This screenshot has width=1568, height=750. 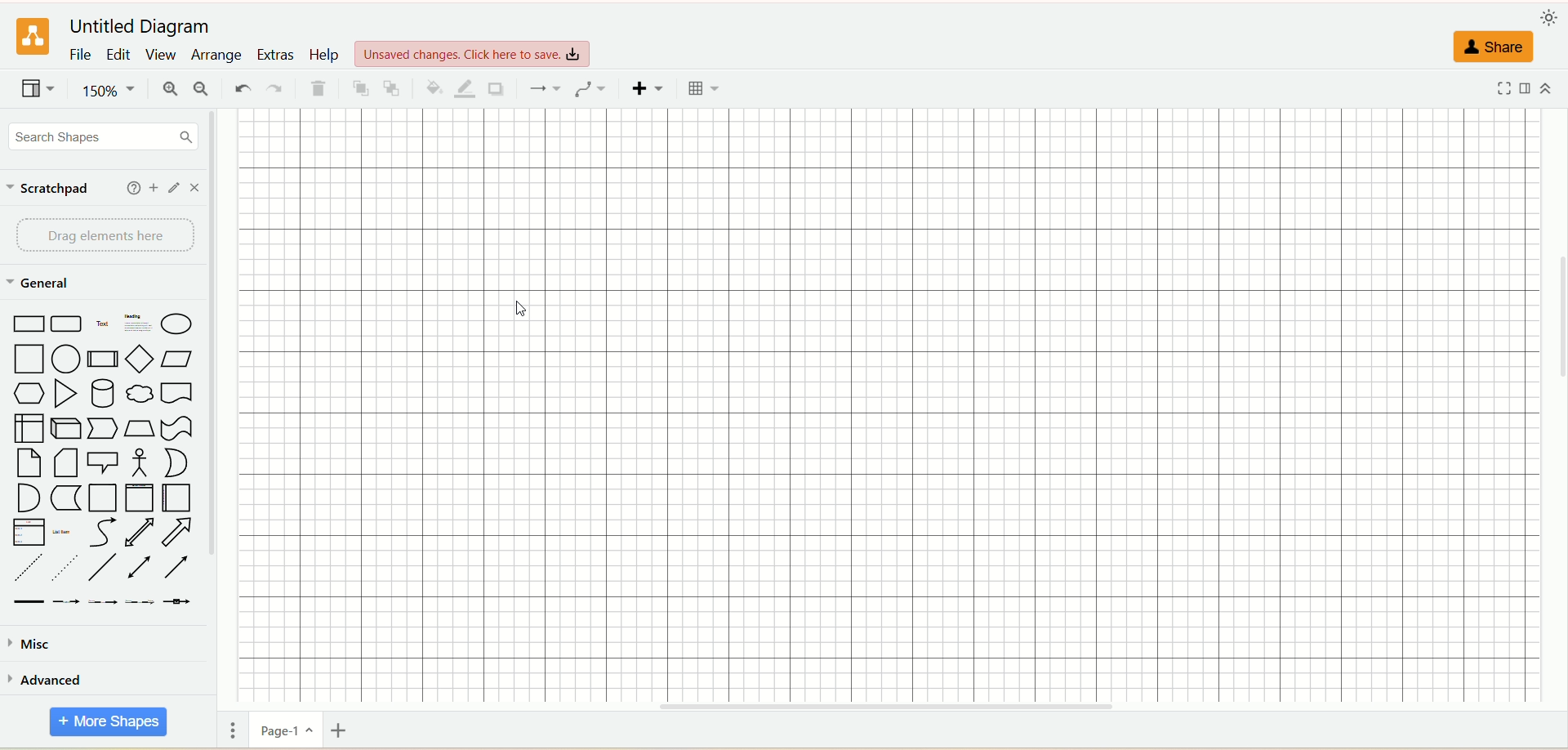 What do you see at coordinates (38, 90) in the screenshot?
I see `view` at bounding box center [38, 90].